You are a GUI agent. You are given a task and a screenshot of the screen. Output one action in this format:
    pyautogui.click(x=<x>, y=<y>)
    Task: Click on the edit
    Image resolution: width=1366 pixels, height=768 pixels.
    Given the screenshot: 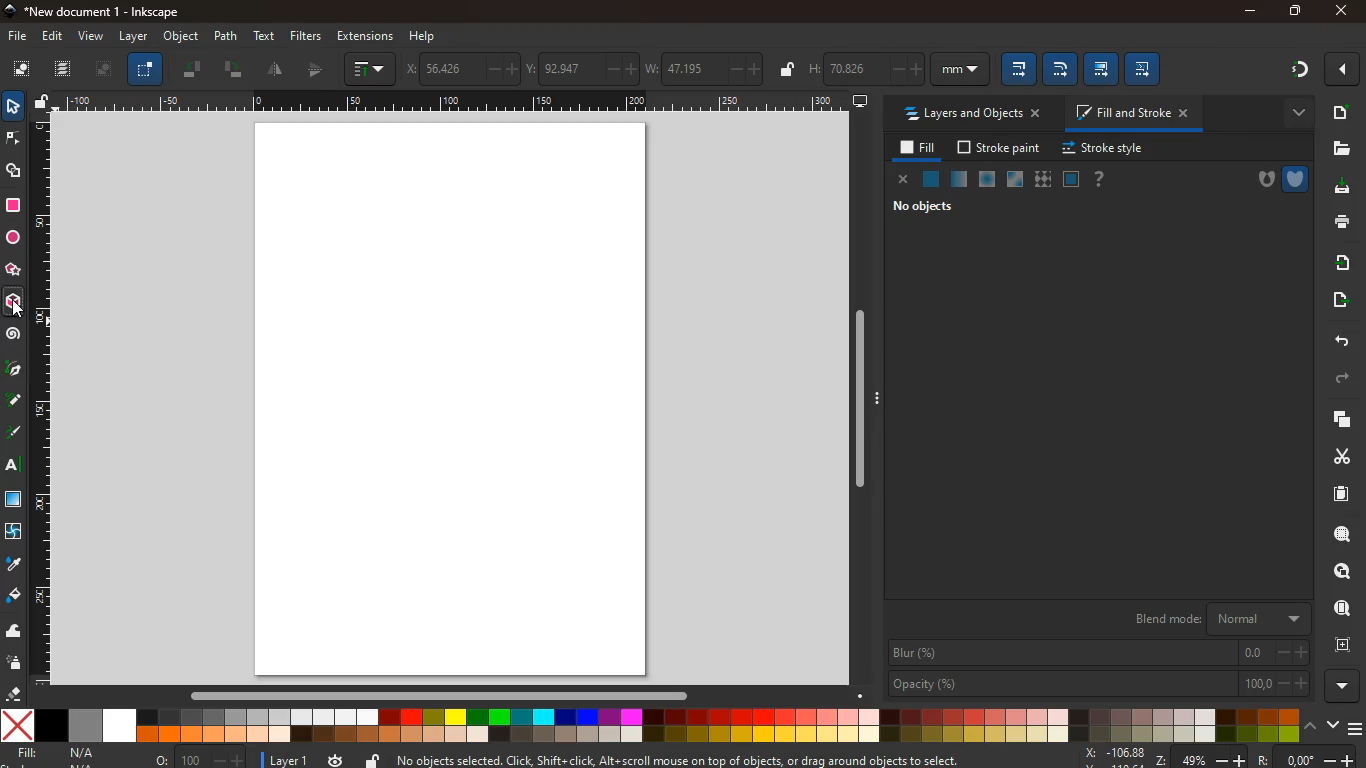 What is the action you would take?
    pyautogui.click(x=1017, y=69)
    